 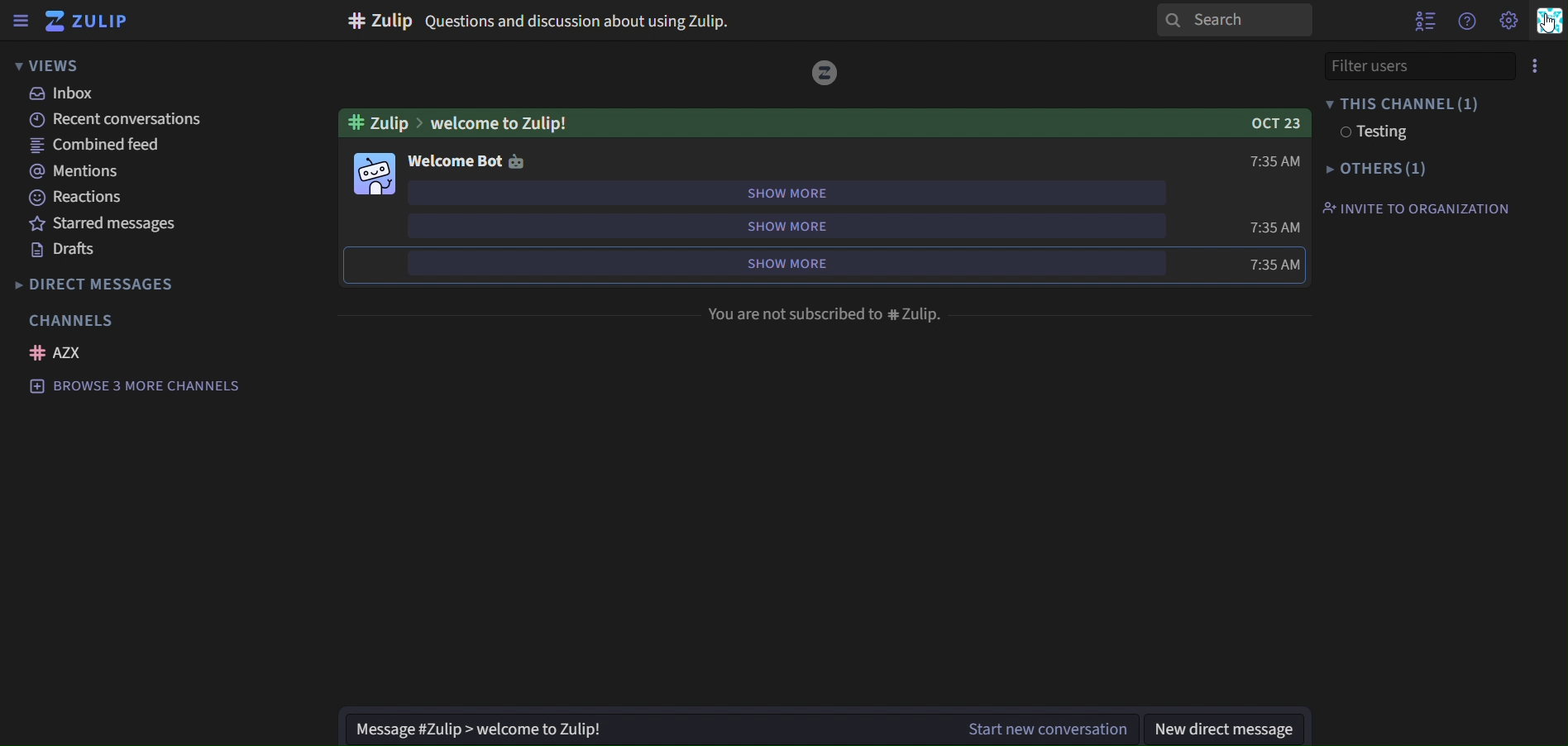 What do you see at coordinates (64, 250) in the screenshot?
I see `drafts` at bounding box center [64, 250].